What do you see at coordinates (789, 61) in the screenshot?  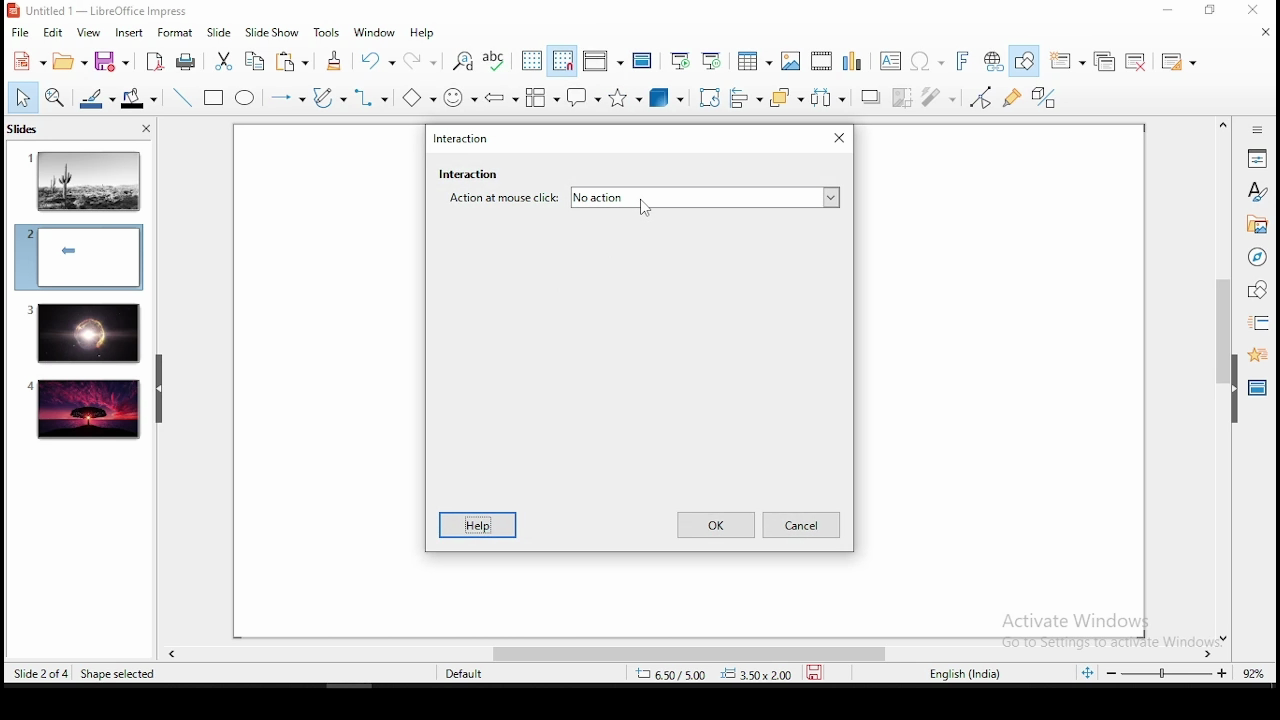 I see `images` at bounding box center [789, 61].